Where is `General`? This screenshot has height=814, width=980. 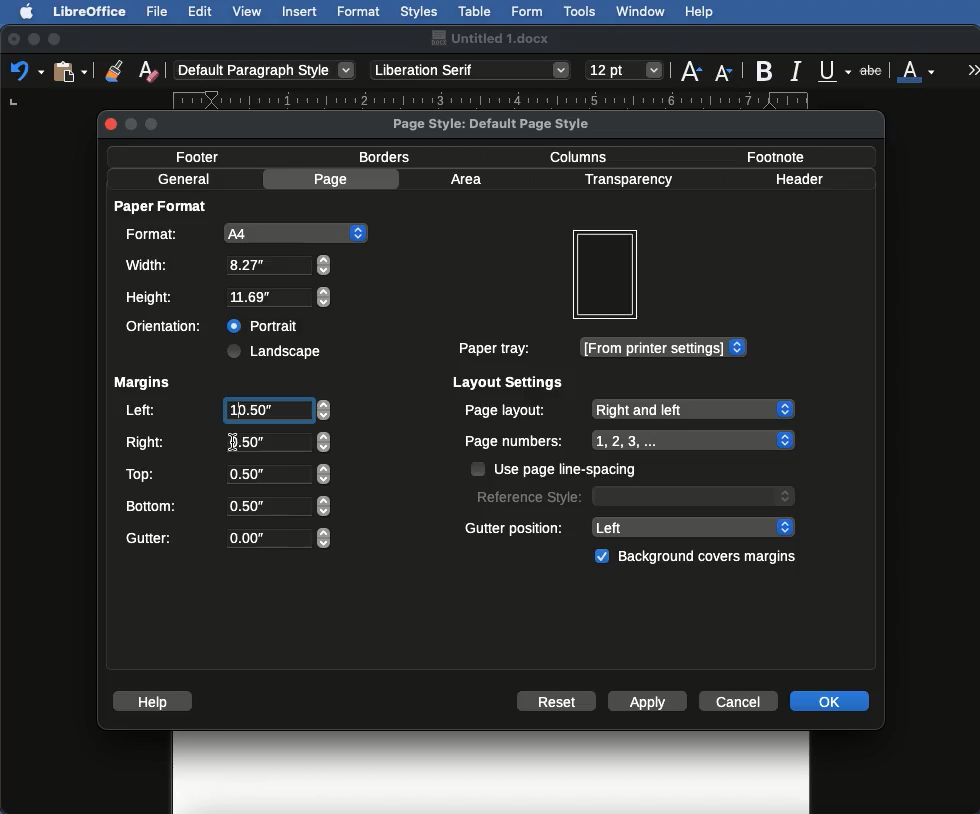 General is located at coordinates (184, 179).